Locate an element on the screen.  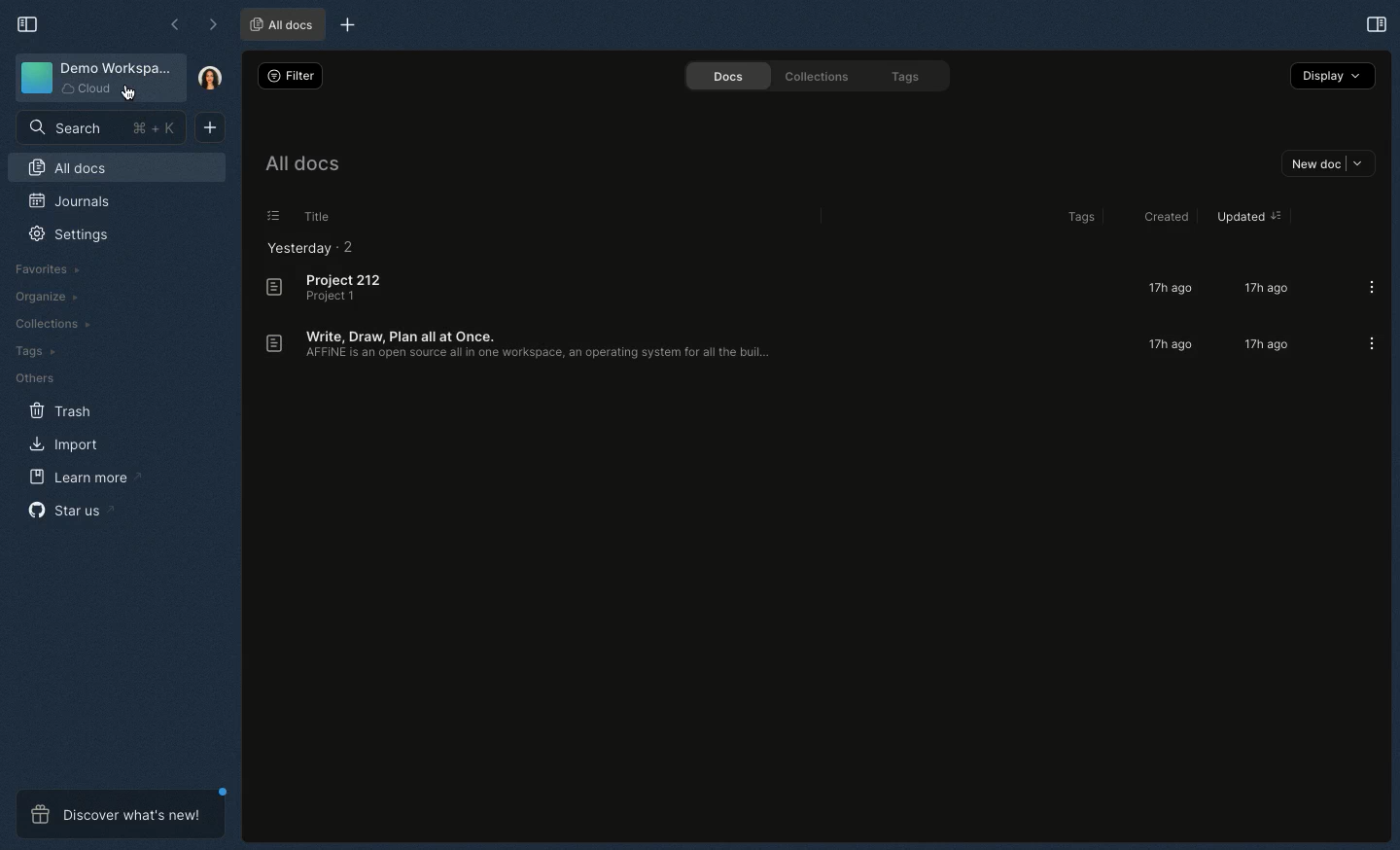
Demo workspace is located at coordinates (97, 78).